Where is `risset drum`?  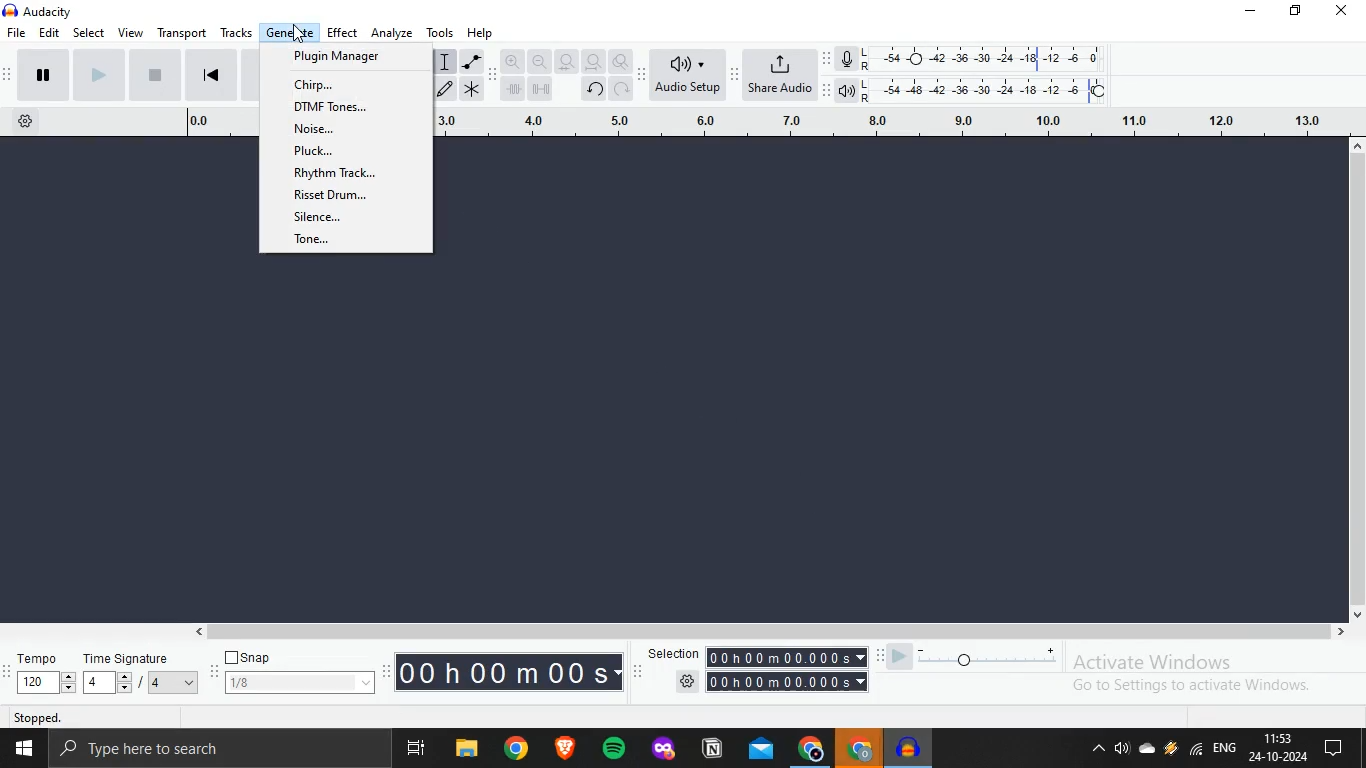
risset drum is located at coordinates (336, 198).